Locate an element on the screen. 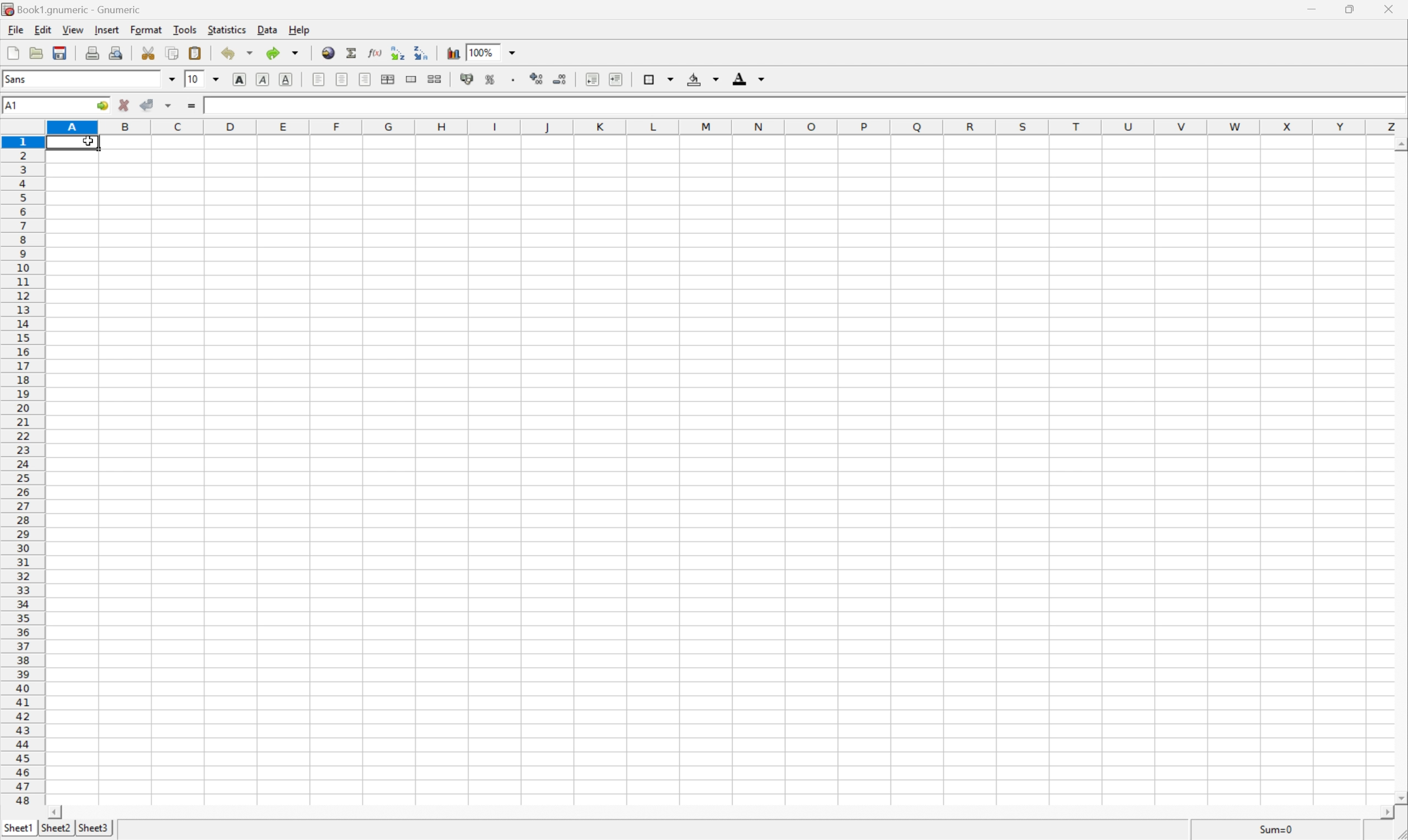  merge a range of cells is located at coordinates (411, 77).